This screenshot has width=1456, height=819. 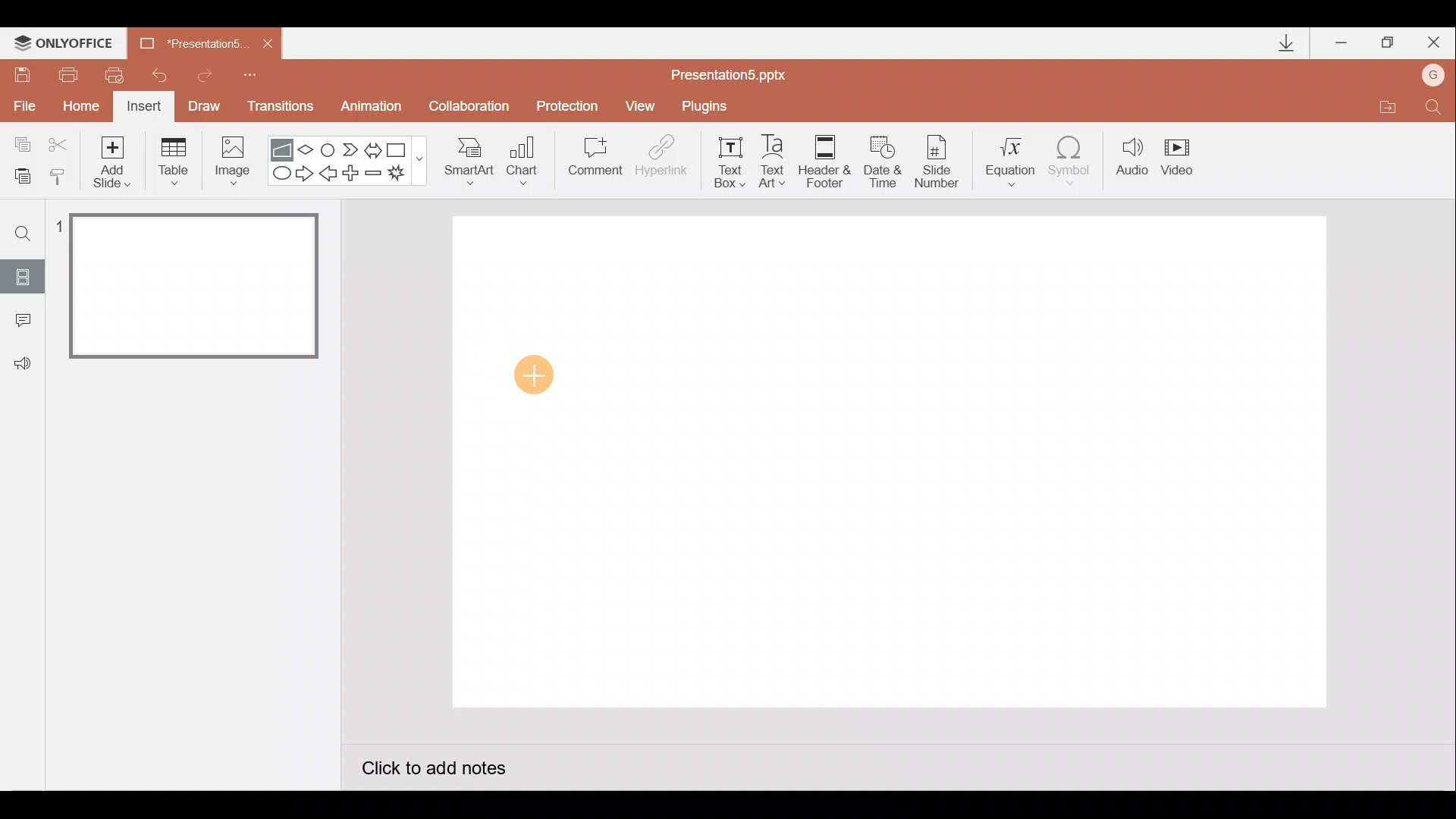 What do you see at coordinates (308, 149) in the screenshot?
I see `Flow chart-decision` at bounding box center [308, 149].